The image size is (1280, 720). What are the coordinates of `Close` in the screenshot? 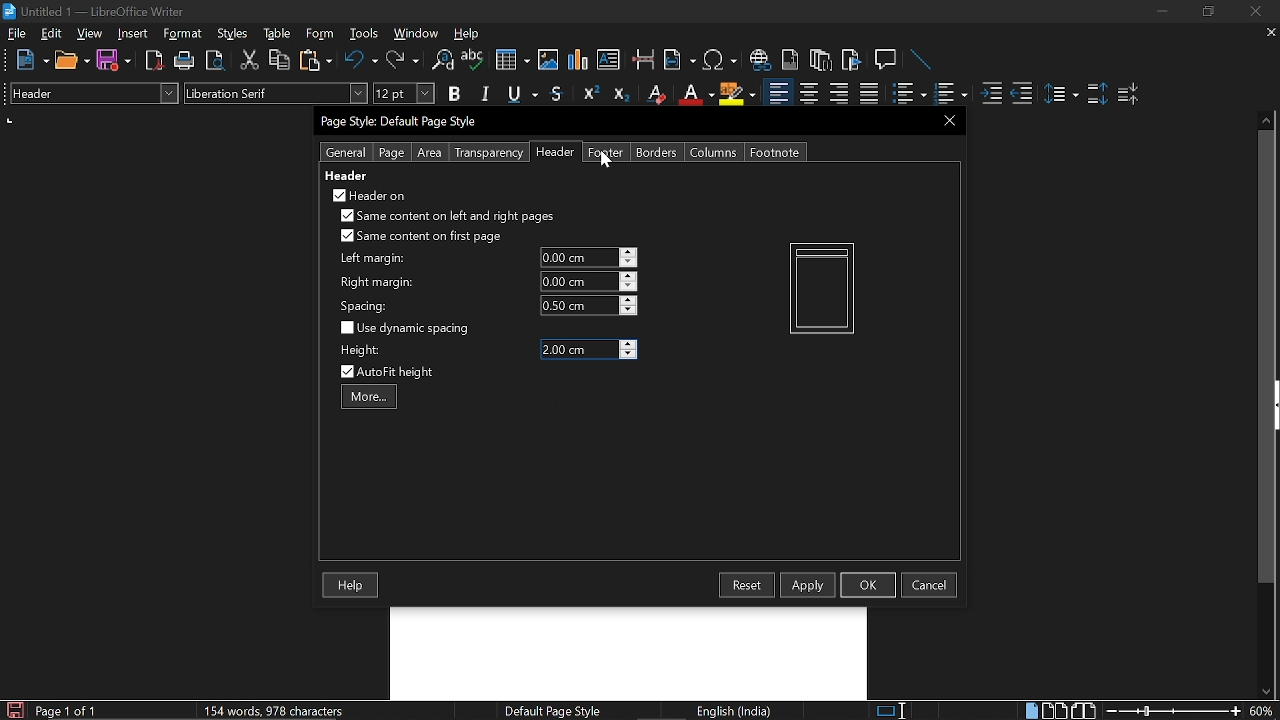 It's located at (1254, 12).